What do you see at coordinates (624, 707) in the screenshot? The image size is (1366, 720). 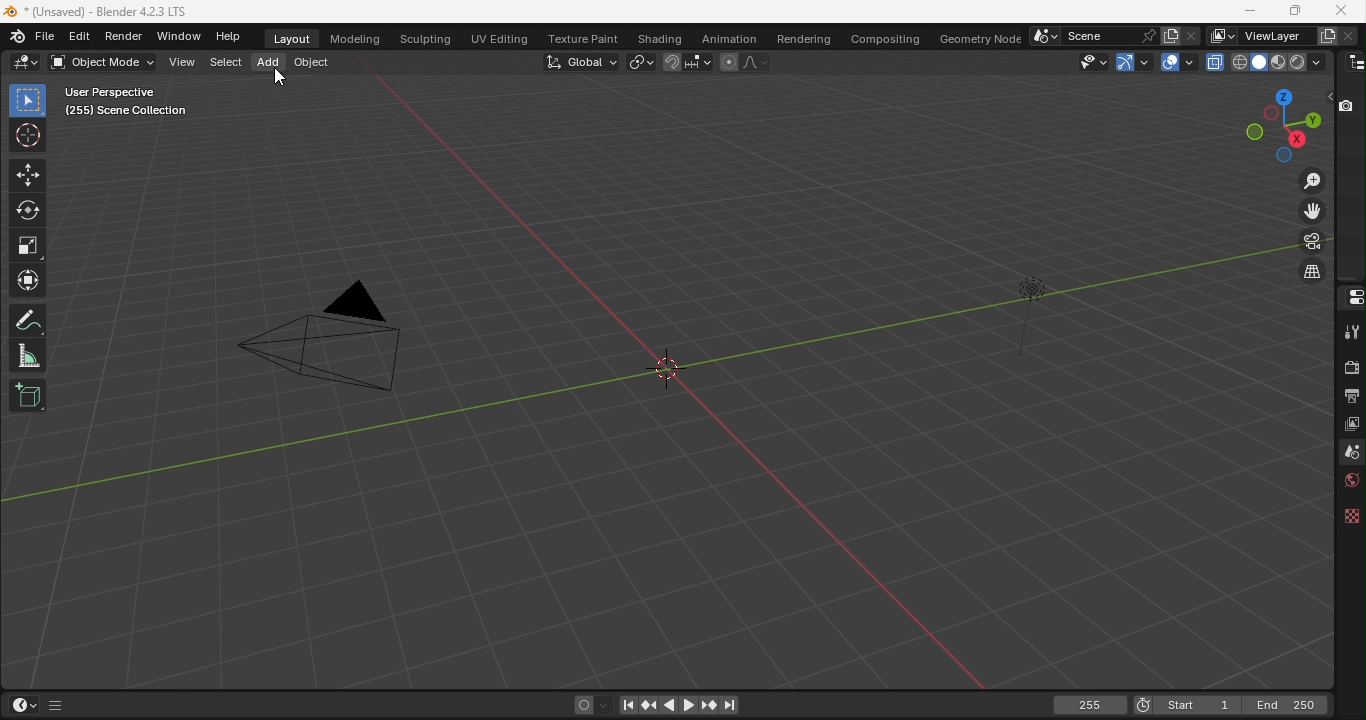 I see `Jump to first/last frame in frame range` at bounding box center [624, 707].